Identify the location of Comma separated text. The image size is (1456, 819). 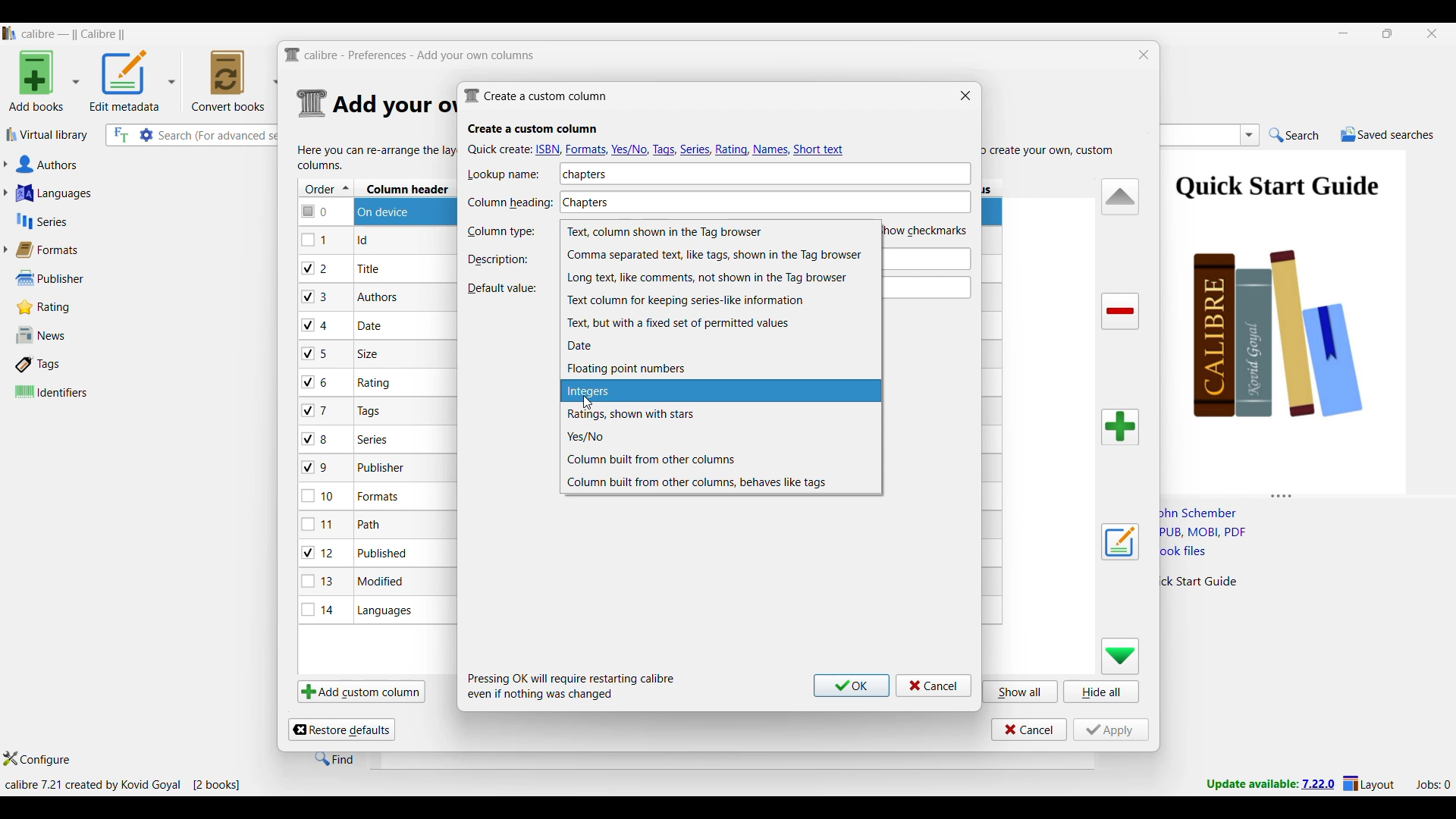
(720, 255).